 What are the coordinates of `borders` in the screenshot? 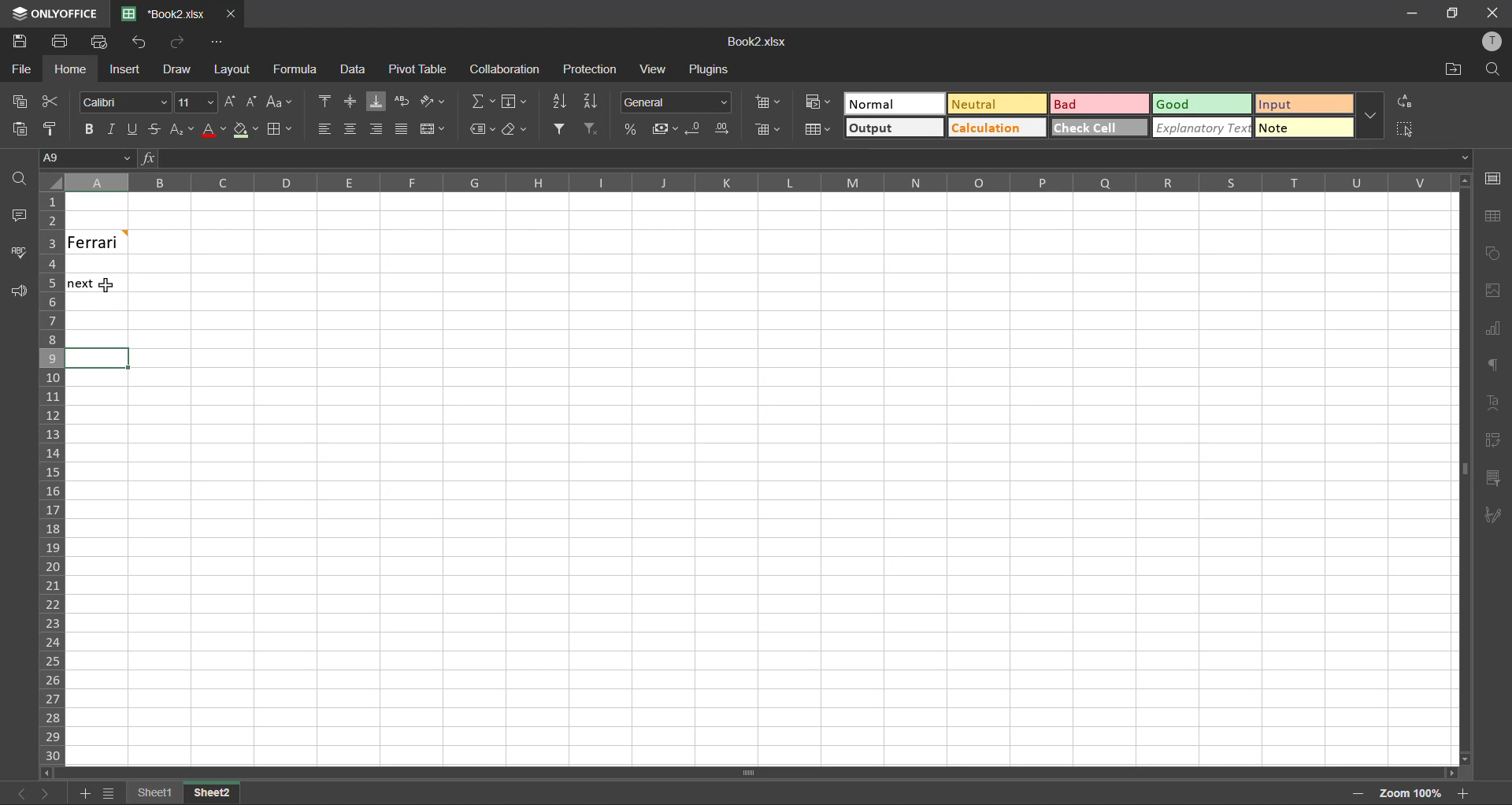 It's located at (279, 130).